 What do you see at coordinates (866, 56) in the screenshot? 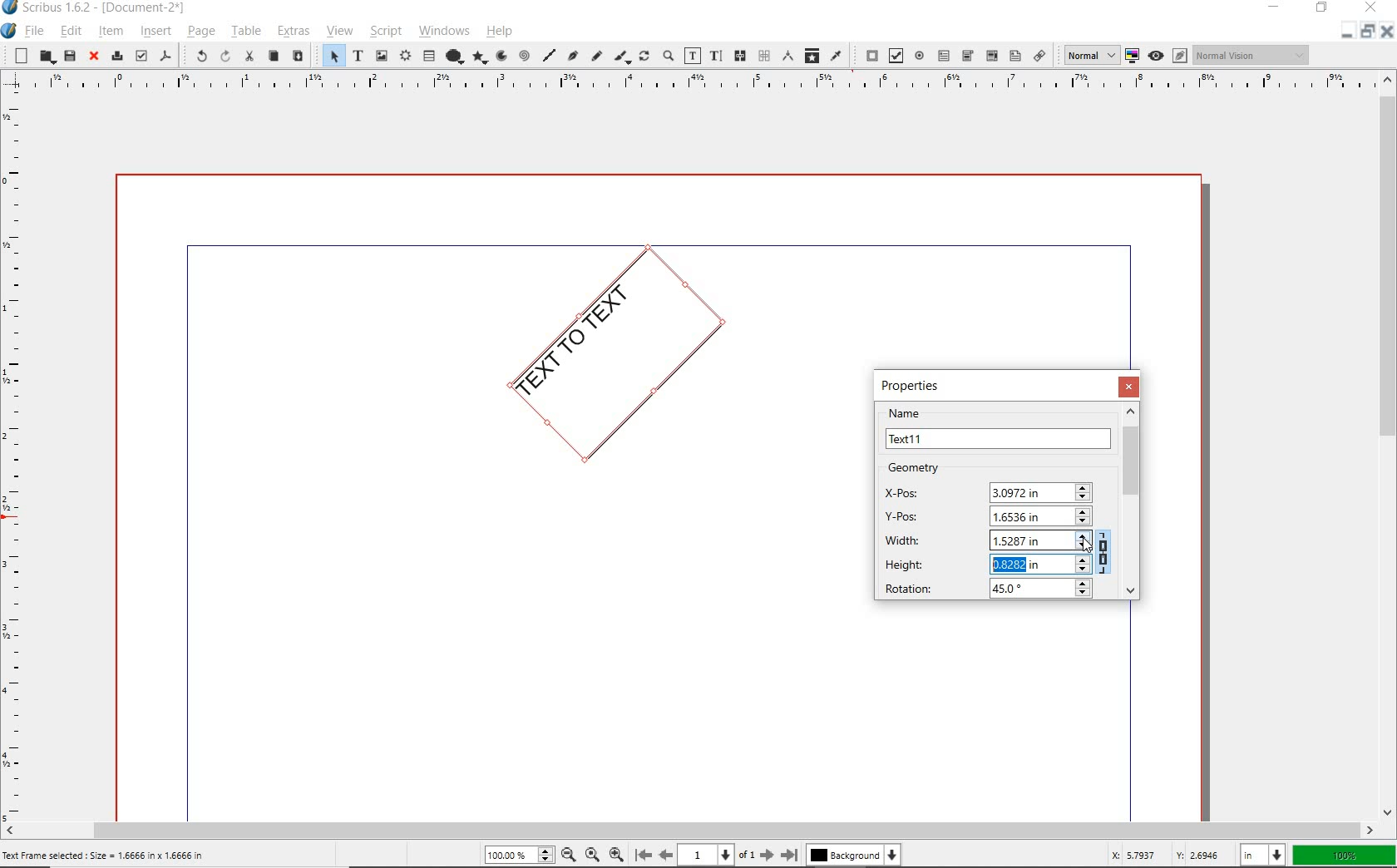
I see `pdf push button` at bounding box center [866, 56].